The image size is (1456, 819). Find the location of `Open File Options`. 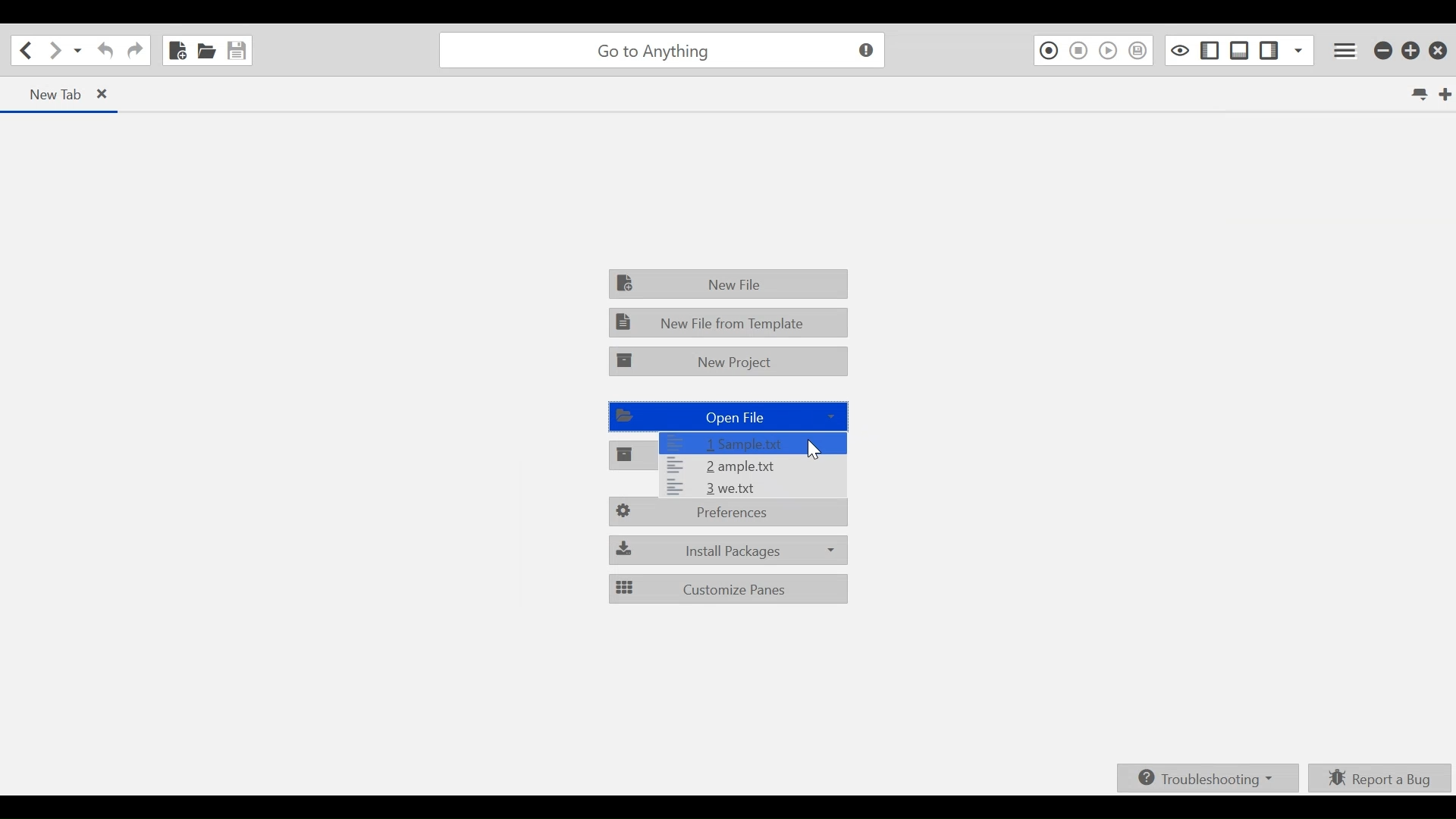

Open File Options is located at coordinates (754, 488).